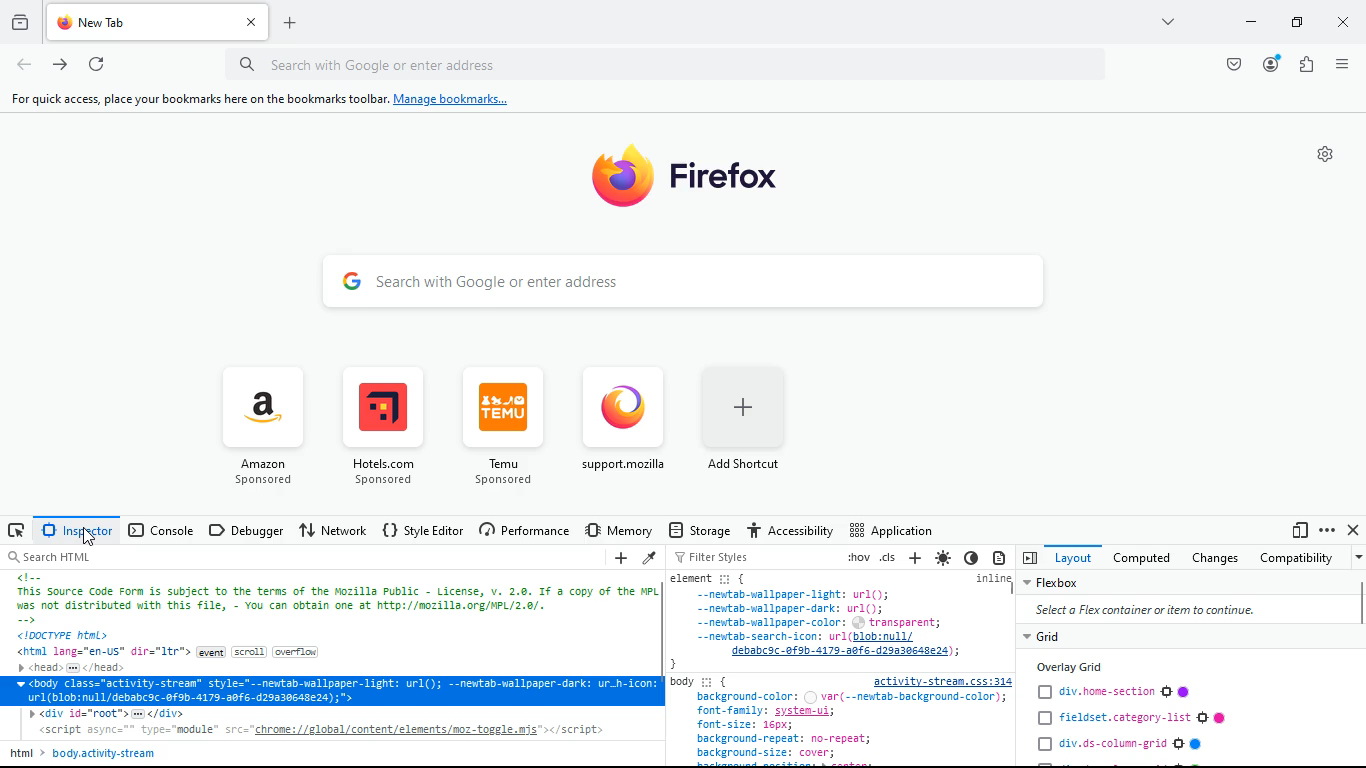 This screenshot has height=768, width=1366. I want to click on computed, so click(1138, 558).